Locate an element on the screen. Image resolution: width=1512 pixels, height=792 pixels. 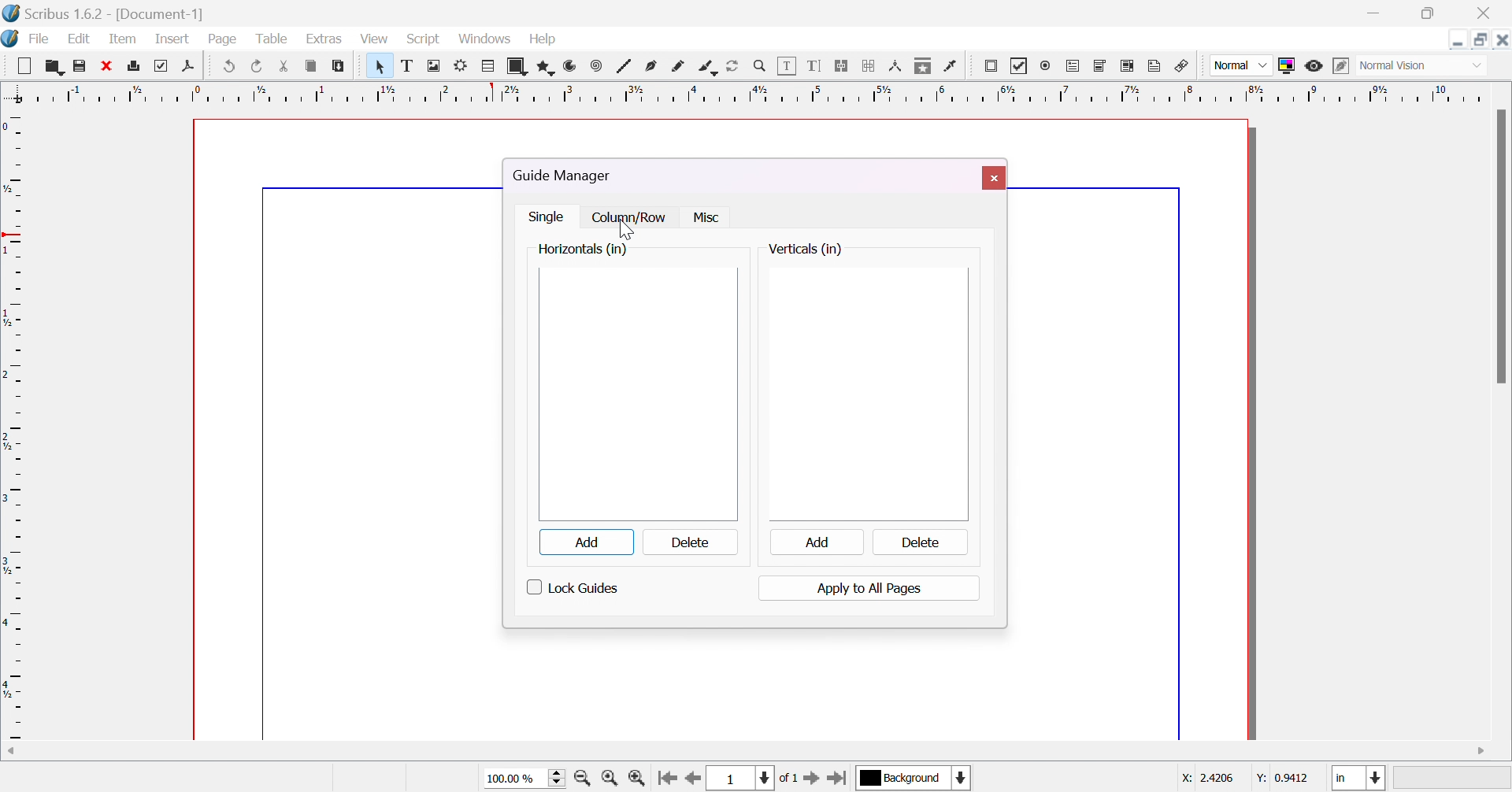
scribus 1.6.2 [Document-1] is located at coordinates (105, 11).